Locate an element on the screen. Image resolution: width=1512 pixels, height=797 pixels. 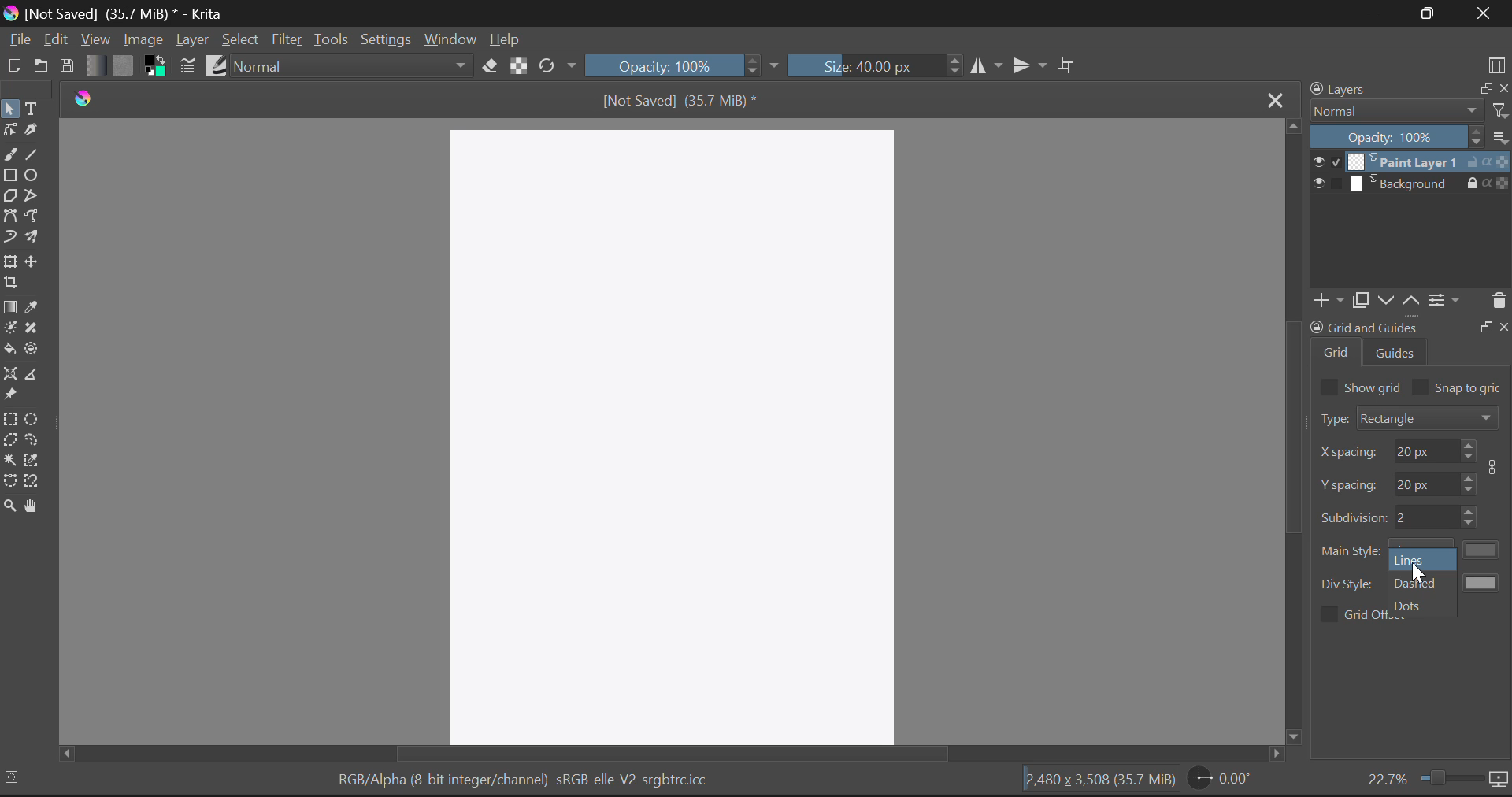
Select is located at coordinates (241, 40).